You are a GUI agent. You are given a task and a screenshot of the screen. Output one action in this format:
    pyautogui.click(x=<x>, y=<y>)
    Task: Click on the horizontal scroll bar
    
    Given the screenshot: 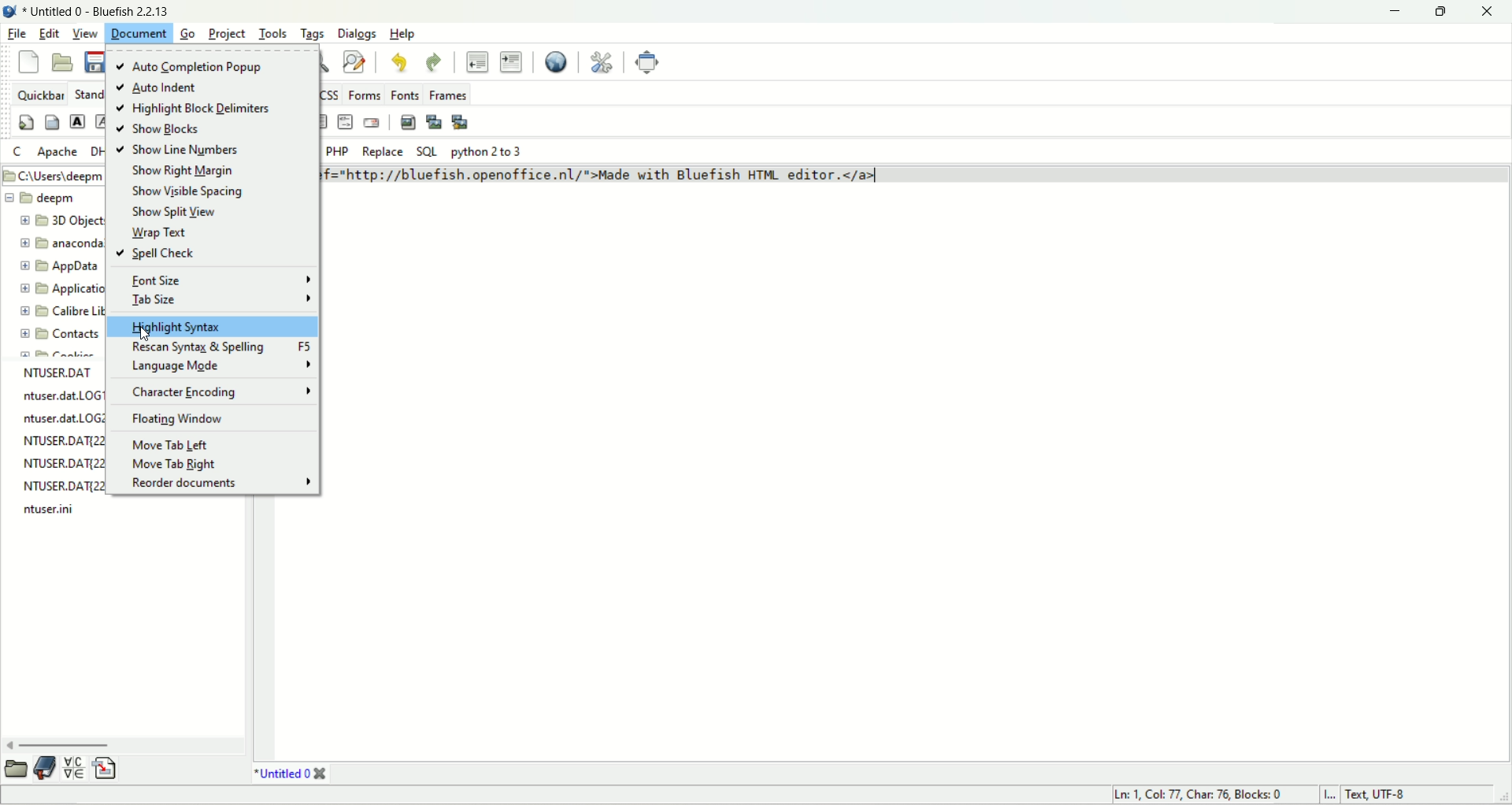 What is the action you would take?
    pyautogui.click(x=125, y=741)
    